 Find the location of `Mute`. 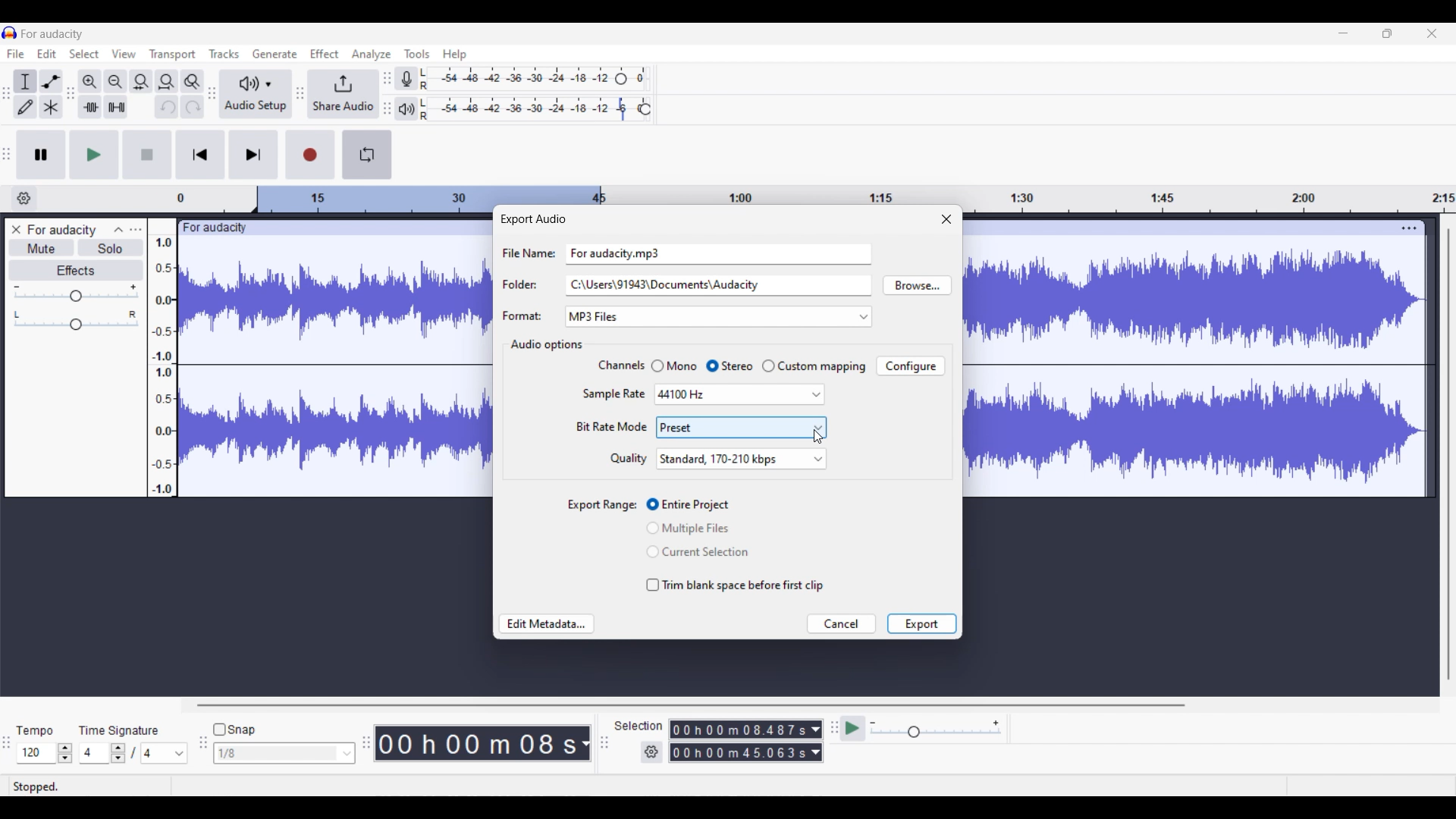

Mute is located at coordinates (42, 247).